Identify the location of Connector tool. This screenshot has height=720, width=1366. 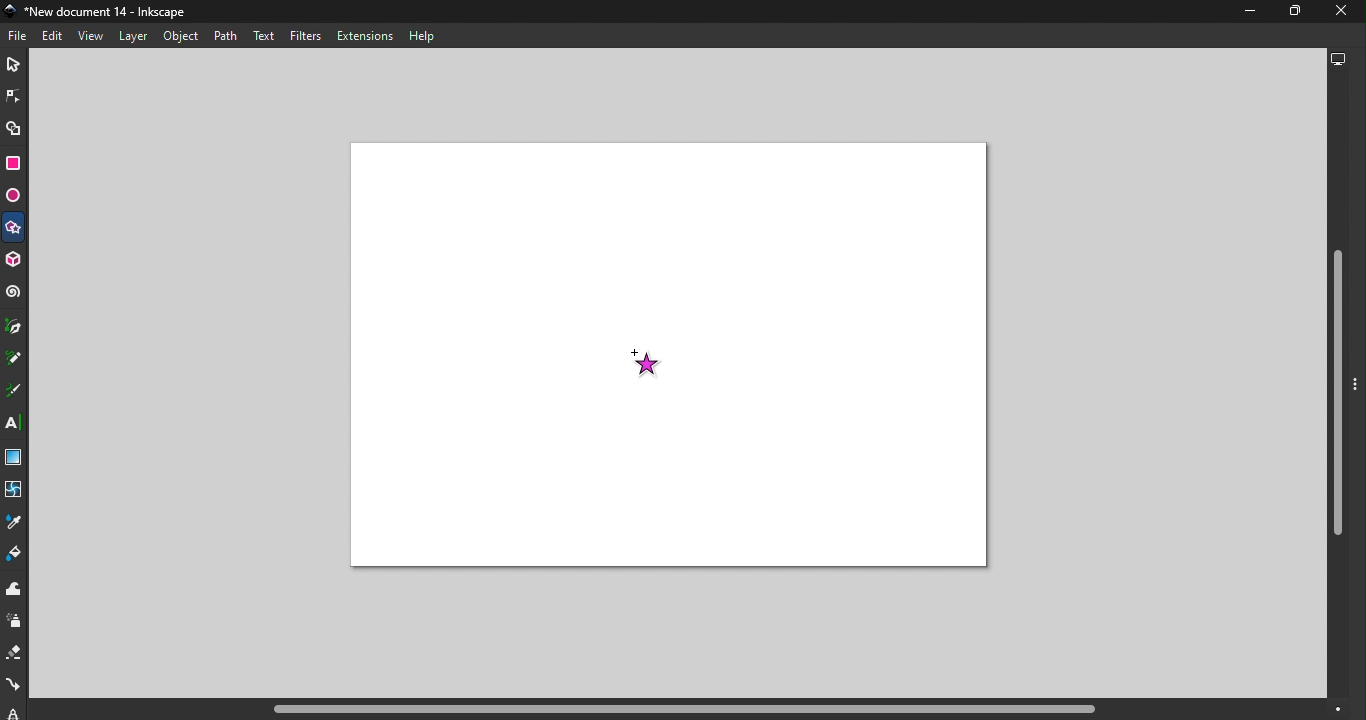
(15, 687).